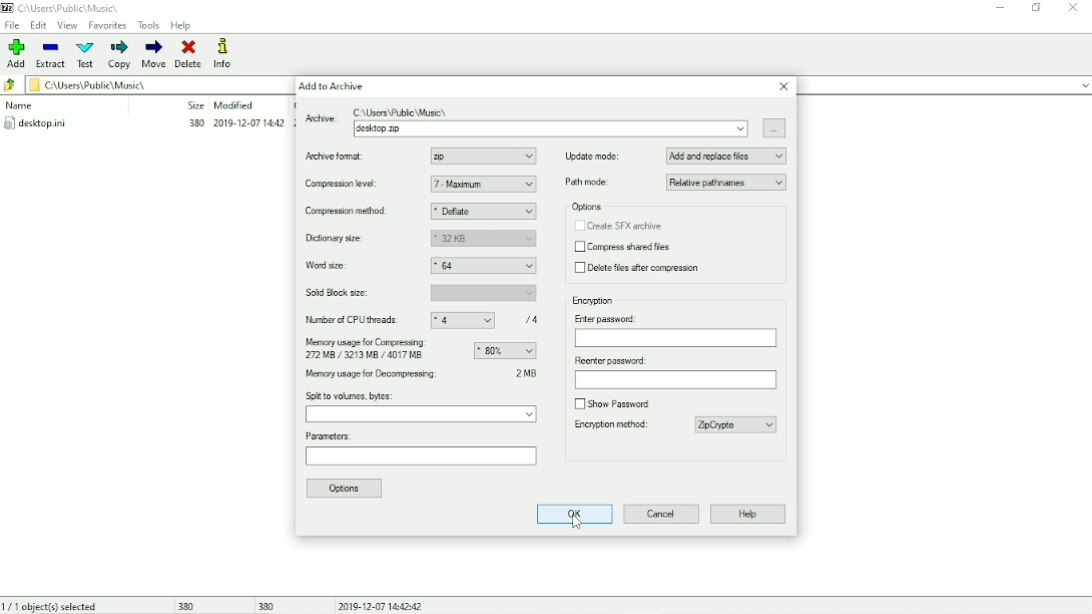 This screenshot has height=614, width=1092. What do you see at coordinates (402, 376) in the screenshot?
I see `Memory usage for Decompressing` at bounding box center [402, 376].